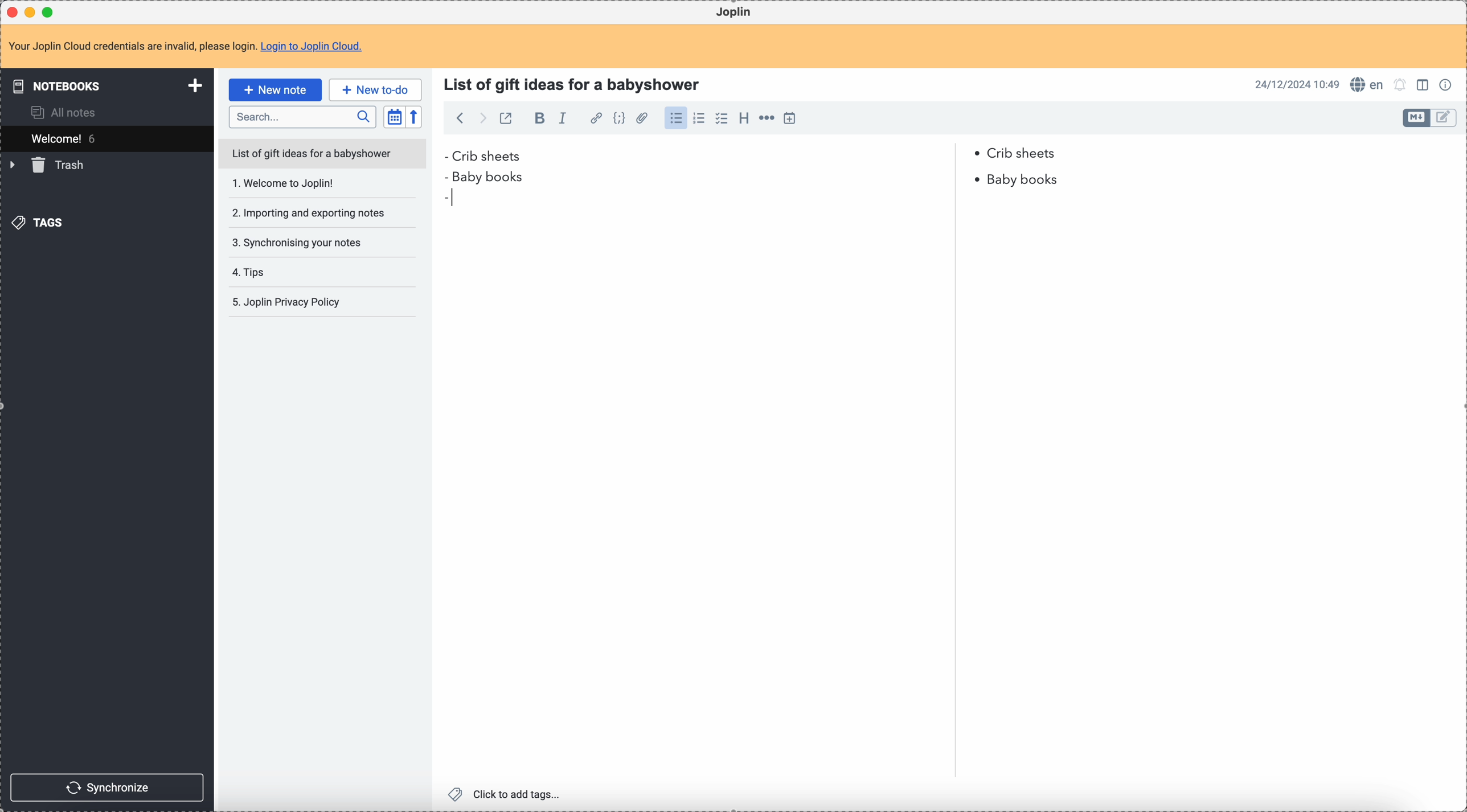 Image resolution: width=1467 pixels, height=812 pixels. I want to click on note, so click(185, 46).